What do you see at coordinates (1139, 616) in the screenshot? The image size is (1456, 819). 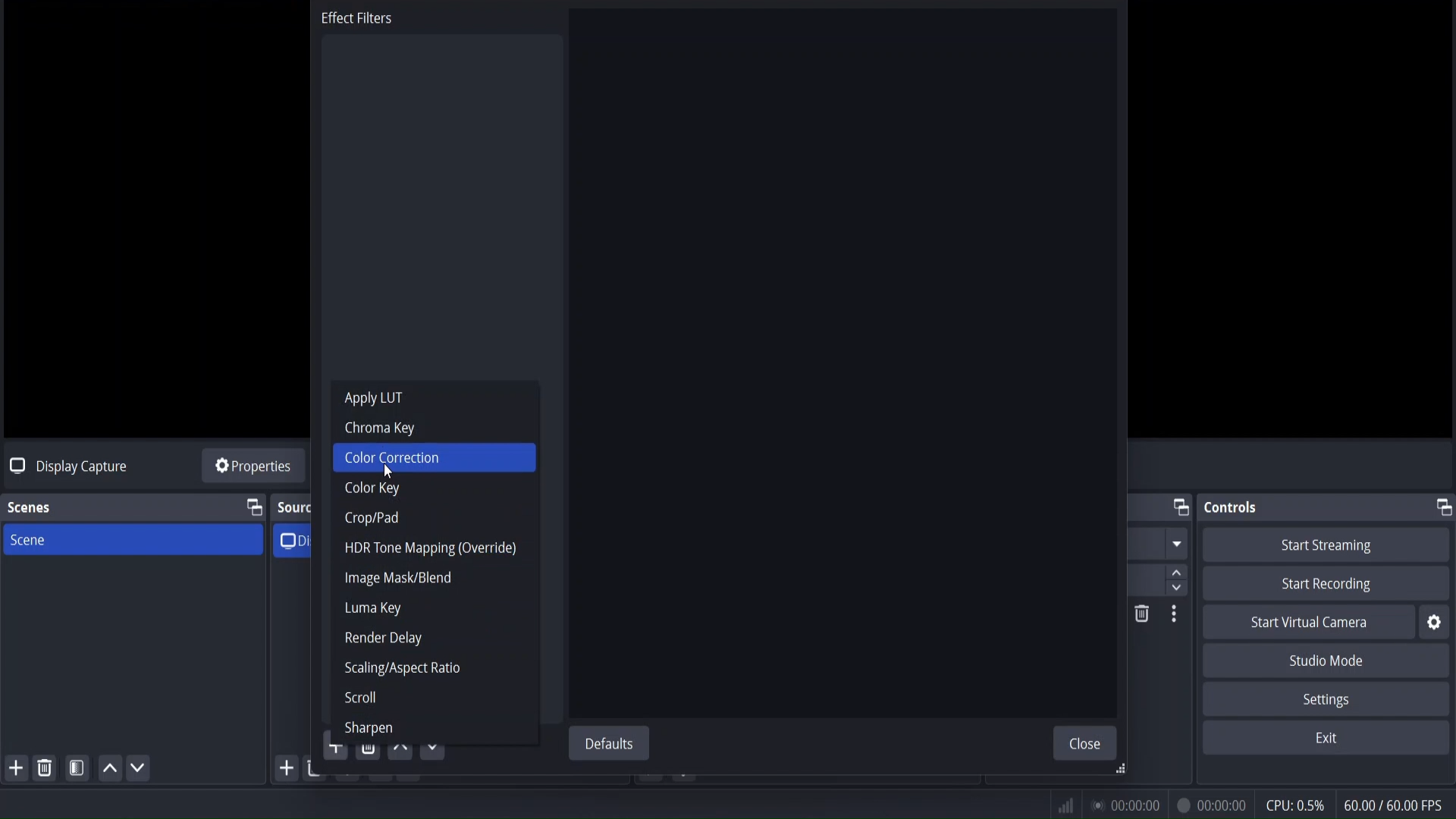 I see `DELETE` at bounding box center [1139, 616].